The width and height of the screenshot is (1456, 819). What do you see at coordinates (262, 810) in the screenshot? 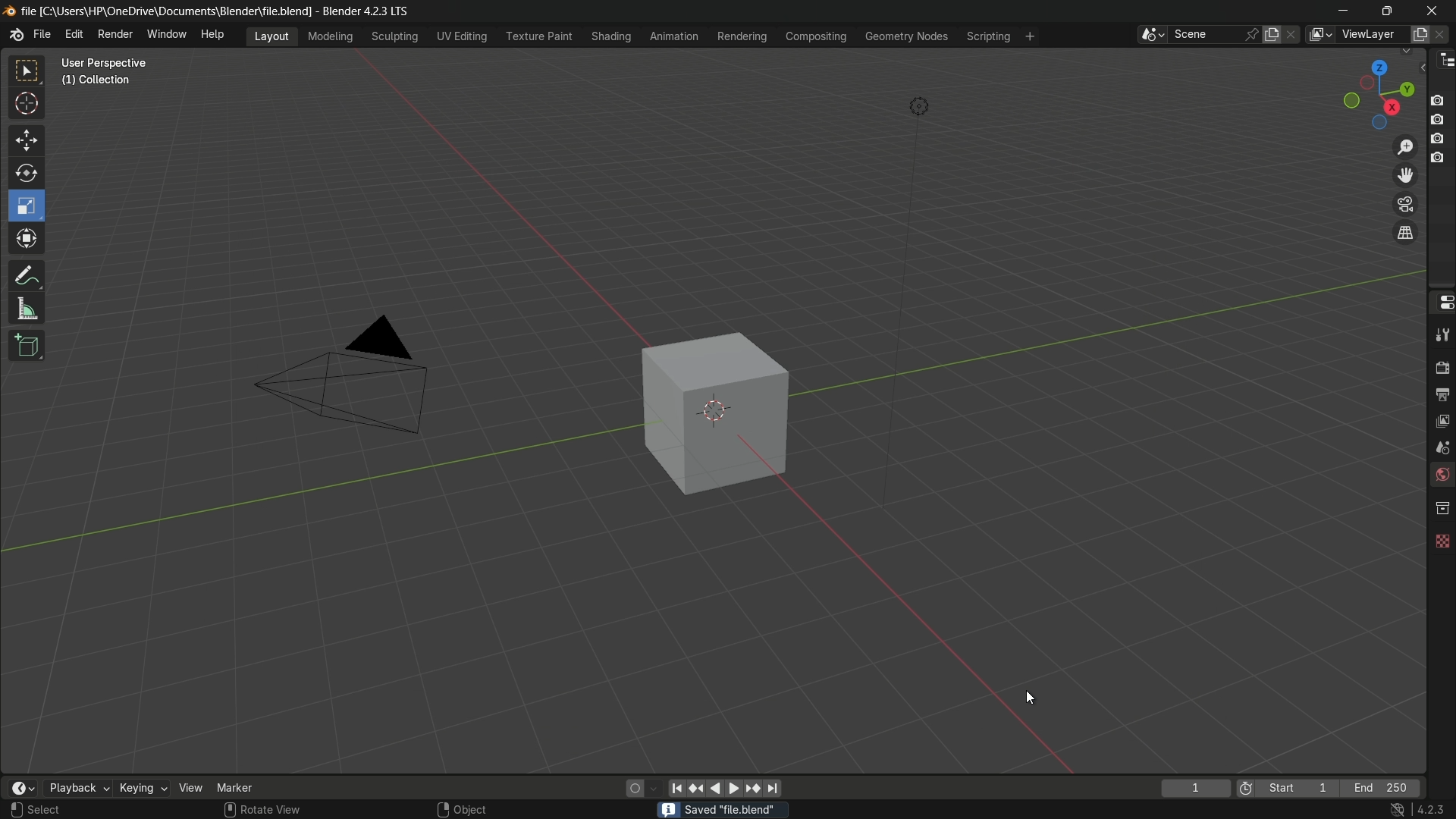
I see `Rotate View` at bounding box center [262, 810].